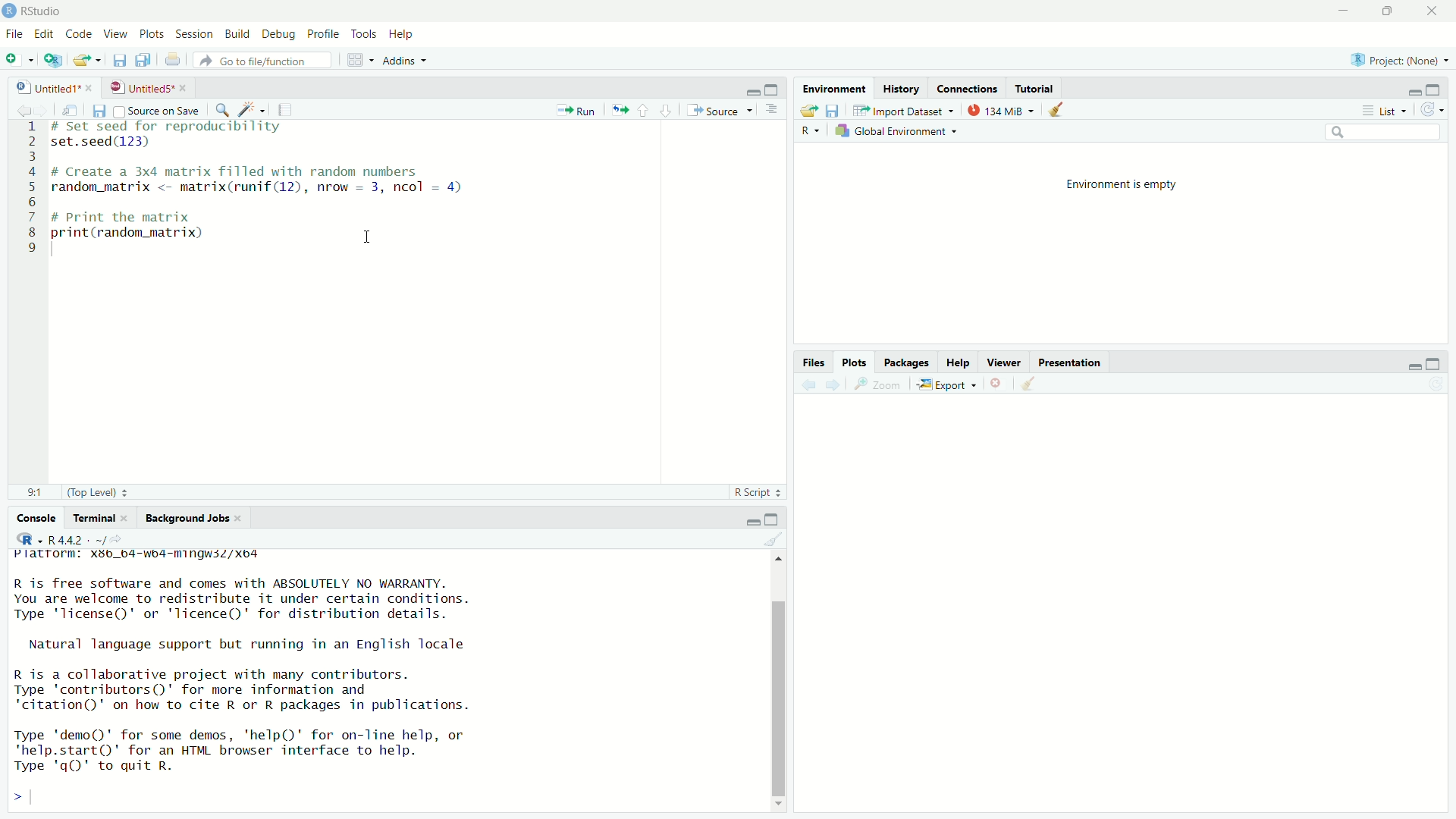 The height and width of the screenshot is (819, 1456). Describe the element at coordinates (857, 365) in the screenshot. I see `Plots` at that location.